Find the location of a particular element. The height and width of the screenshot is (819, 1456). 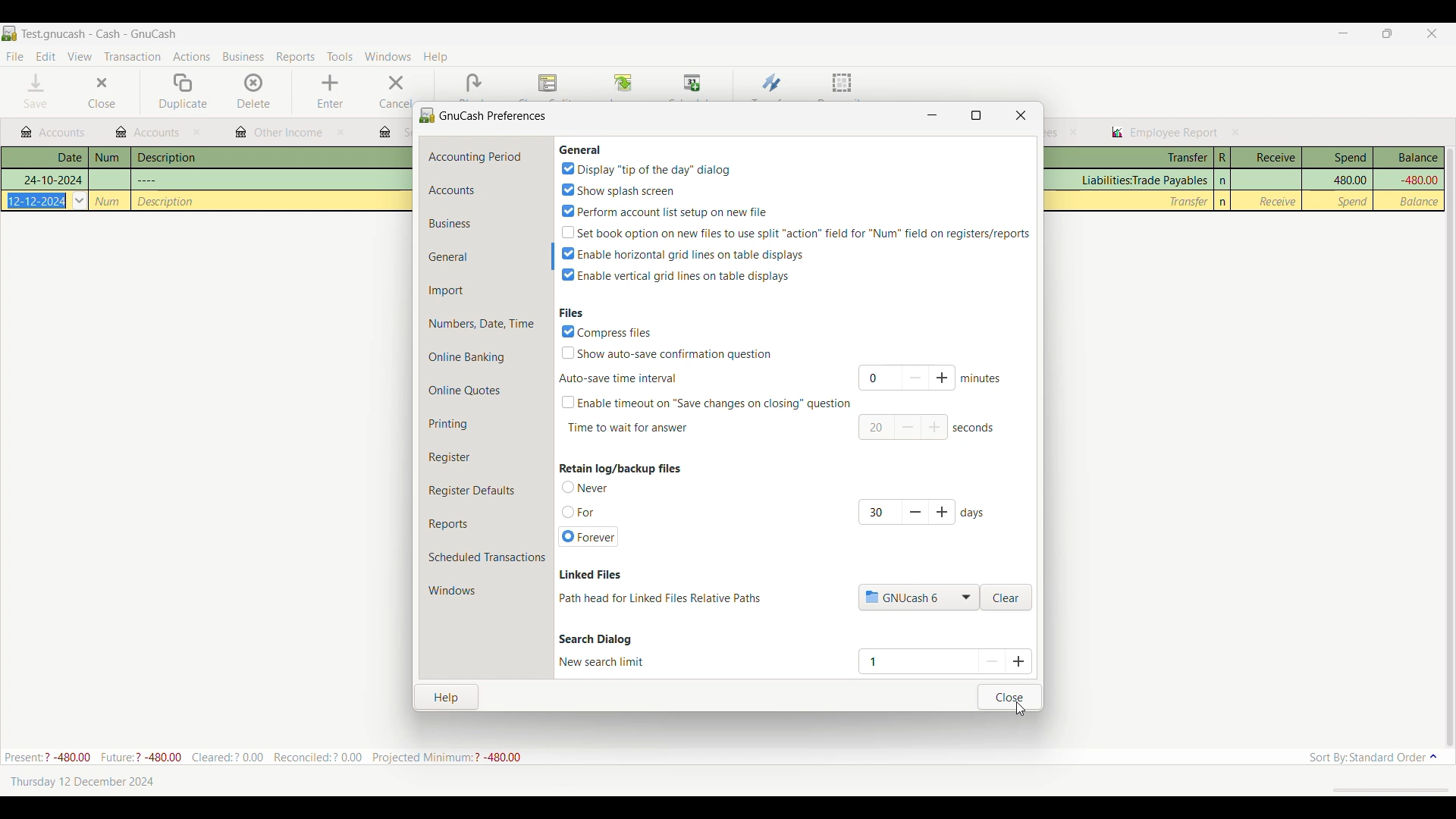

show is located at coordinates (668, 353).